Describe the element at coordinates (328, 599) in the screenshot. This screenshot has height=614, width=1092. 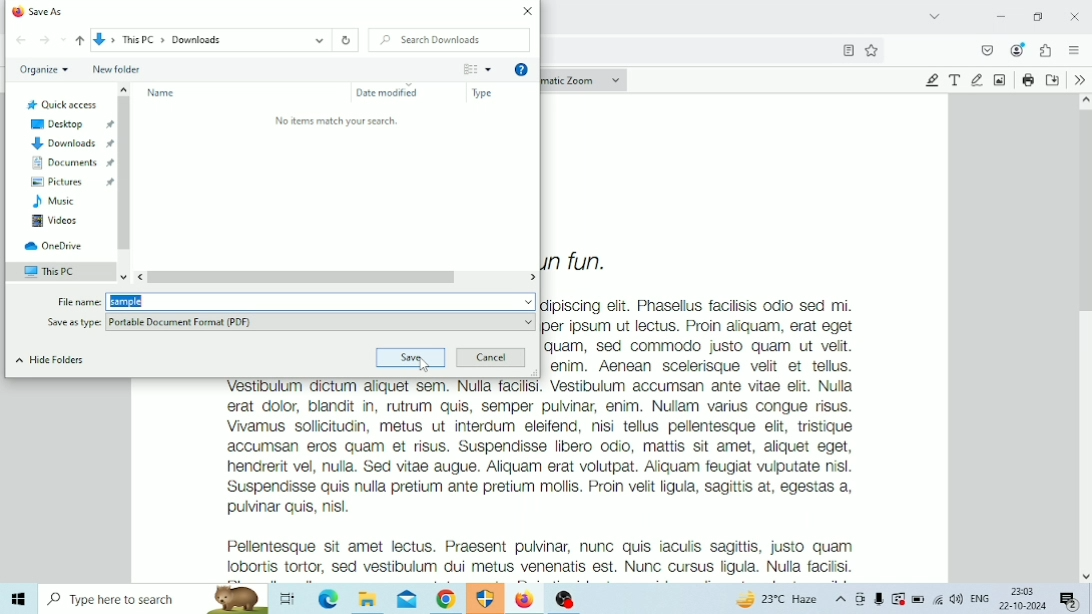
I see `Microsoft Edge` at that location.